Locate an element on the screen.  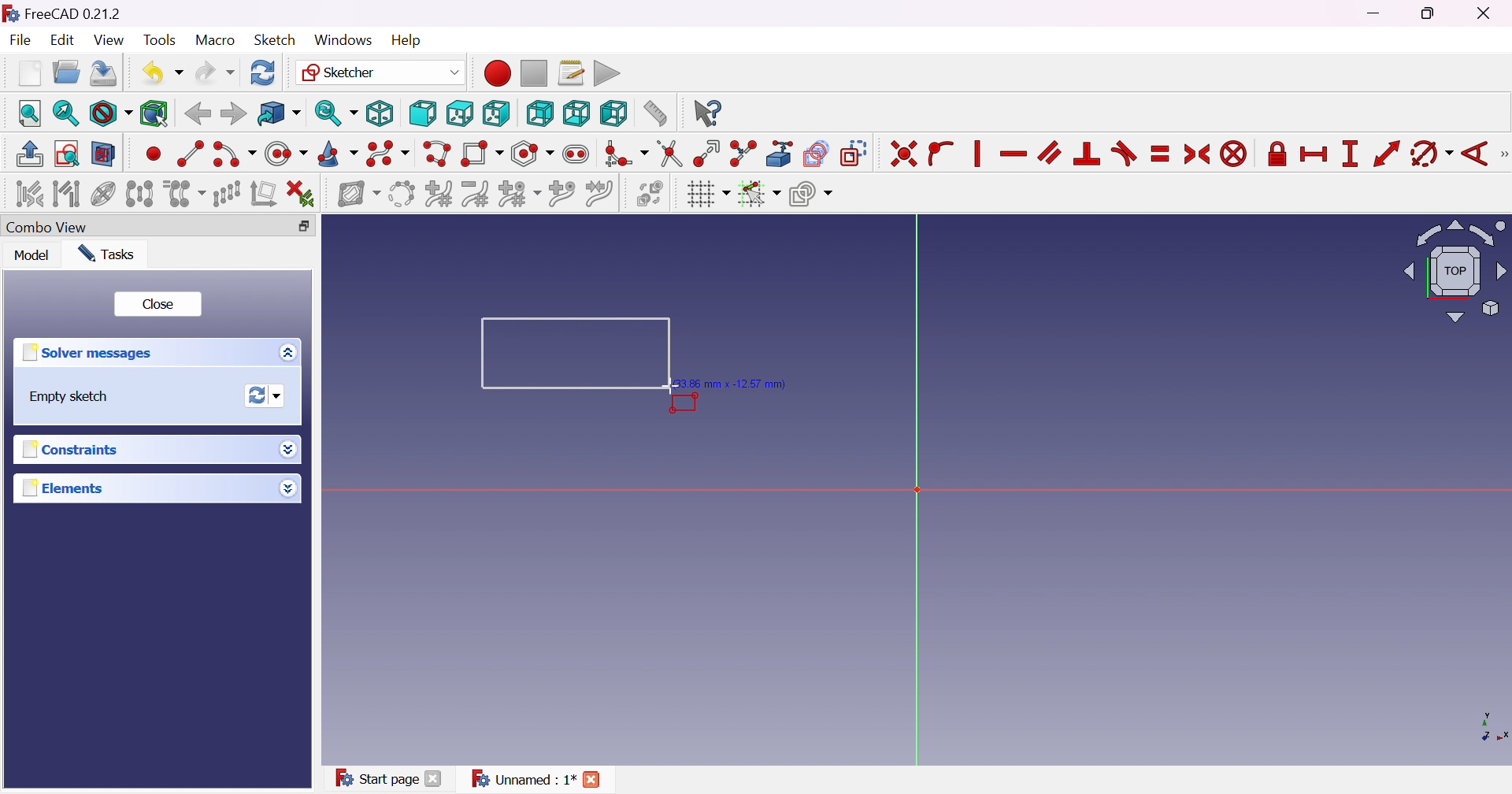
(33.86 mm, 12.57mm) is located at coordinates (736, 382).